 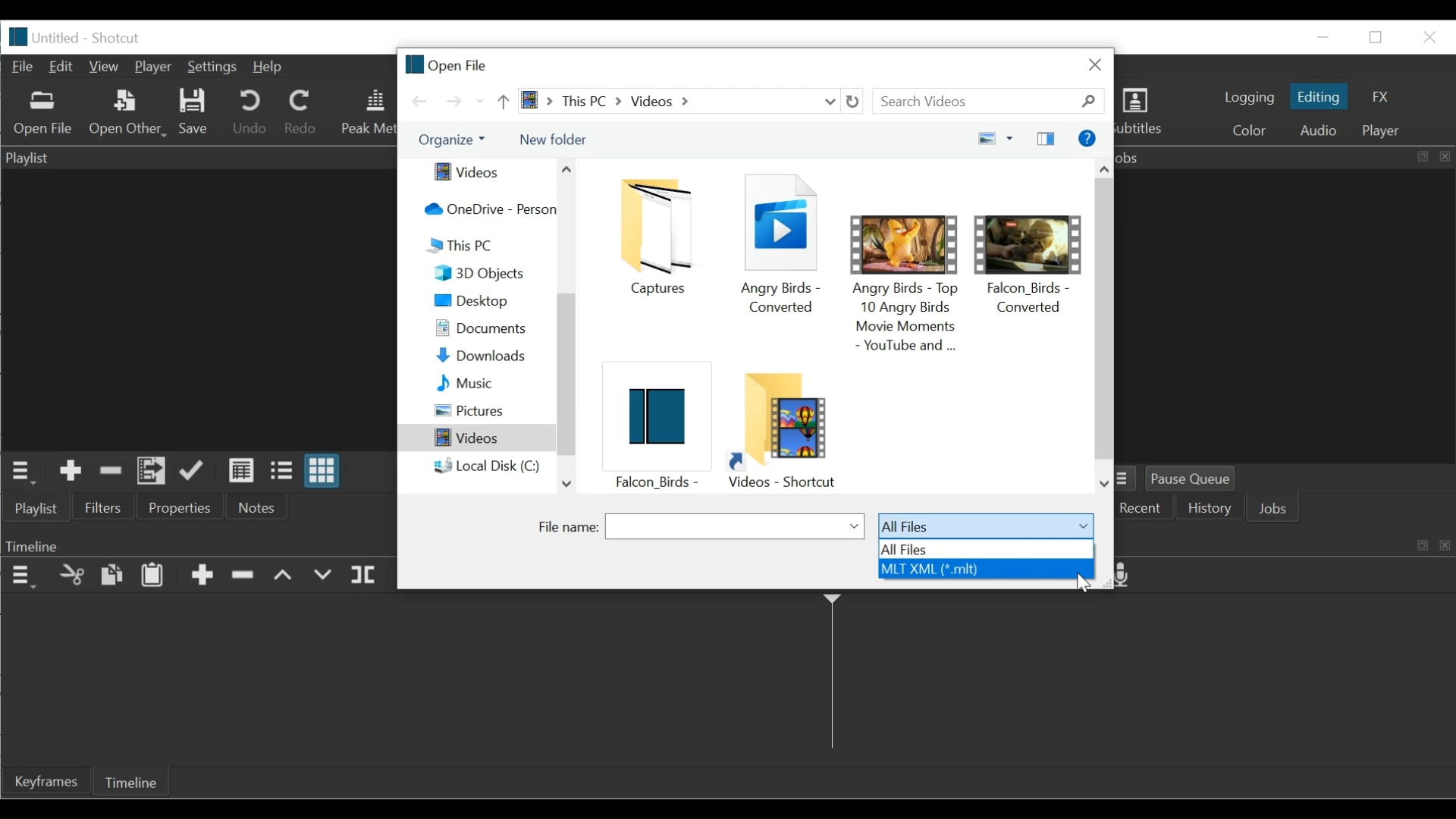 What do you see at coordinates (1086, 138) in the screenshot?
I see `Get help` at bounding box center [1086, 138].